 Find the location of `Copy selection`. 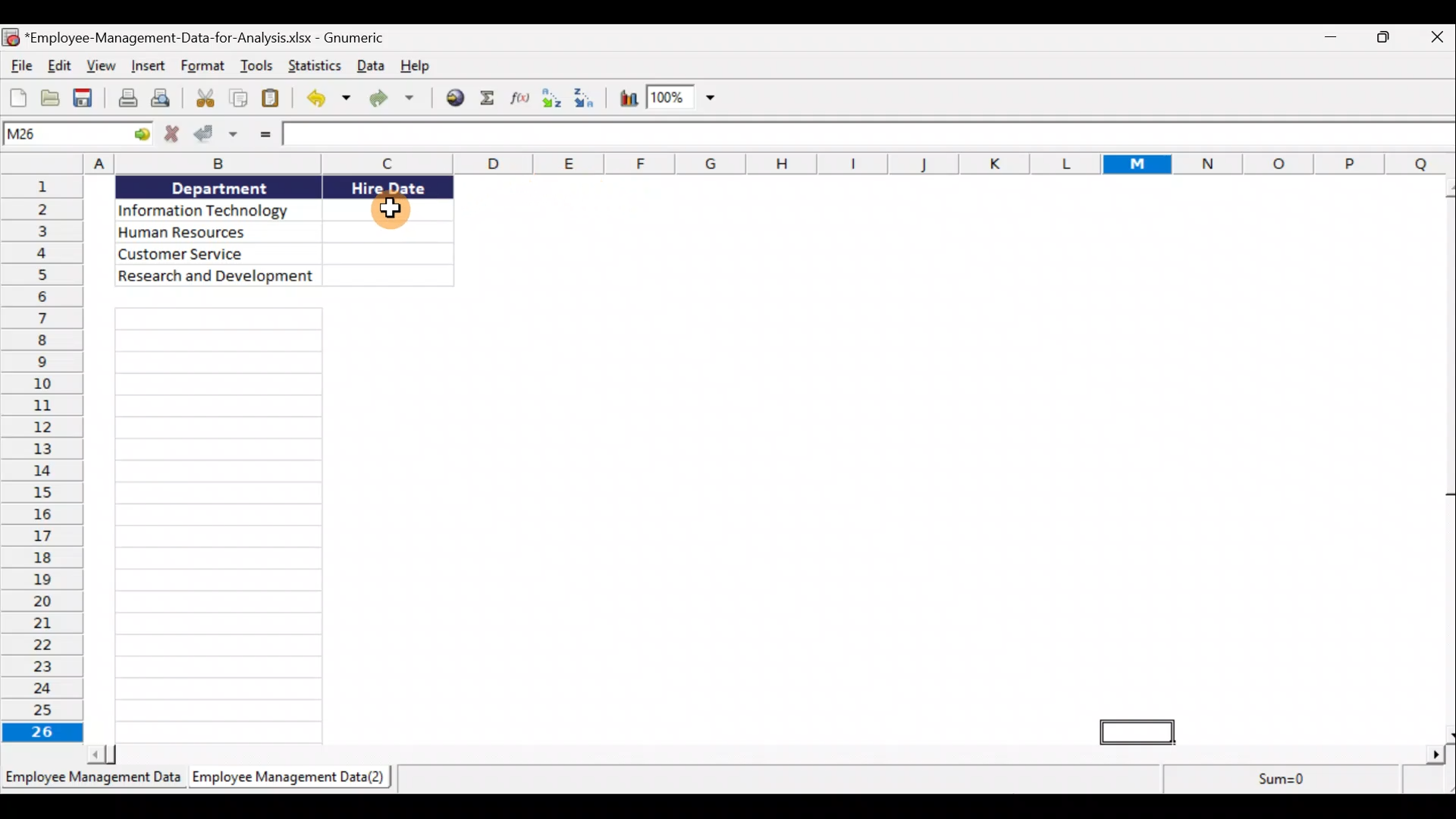

Copy selection is located at coordinates (238, 101).